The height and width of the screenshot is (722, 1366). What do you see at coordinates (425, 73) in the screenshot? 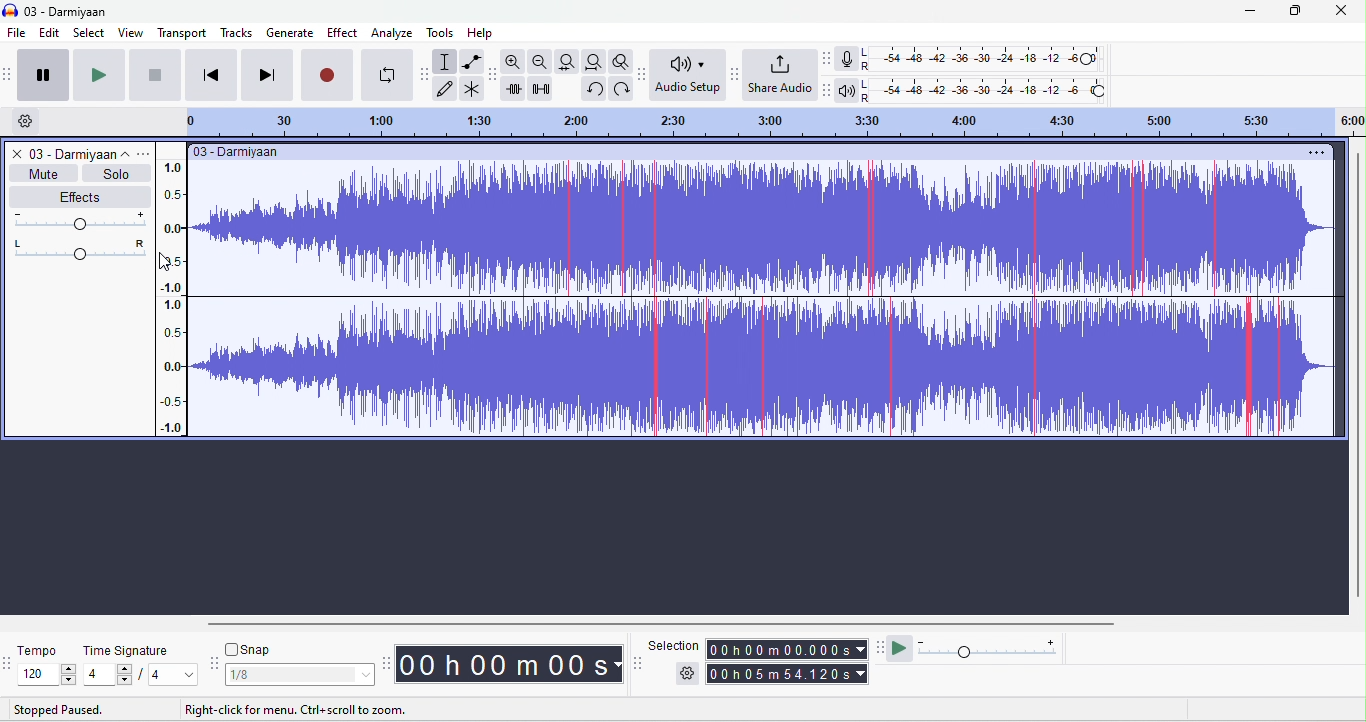
I see `audacity tools toolbar` at bounding box center [425, 73].